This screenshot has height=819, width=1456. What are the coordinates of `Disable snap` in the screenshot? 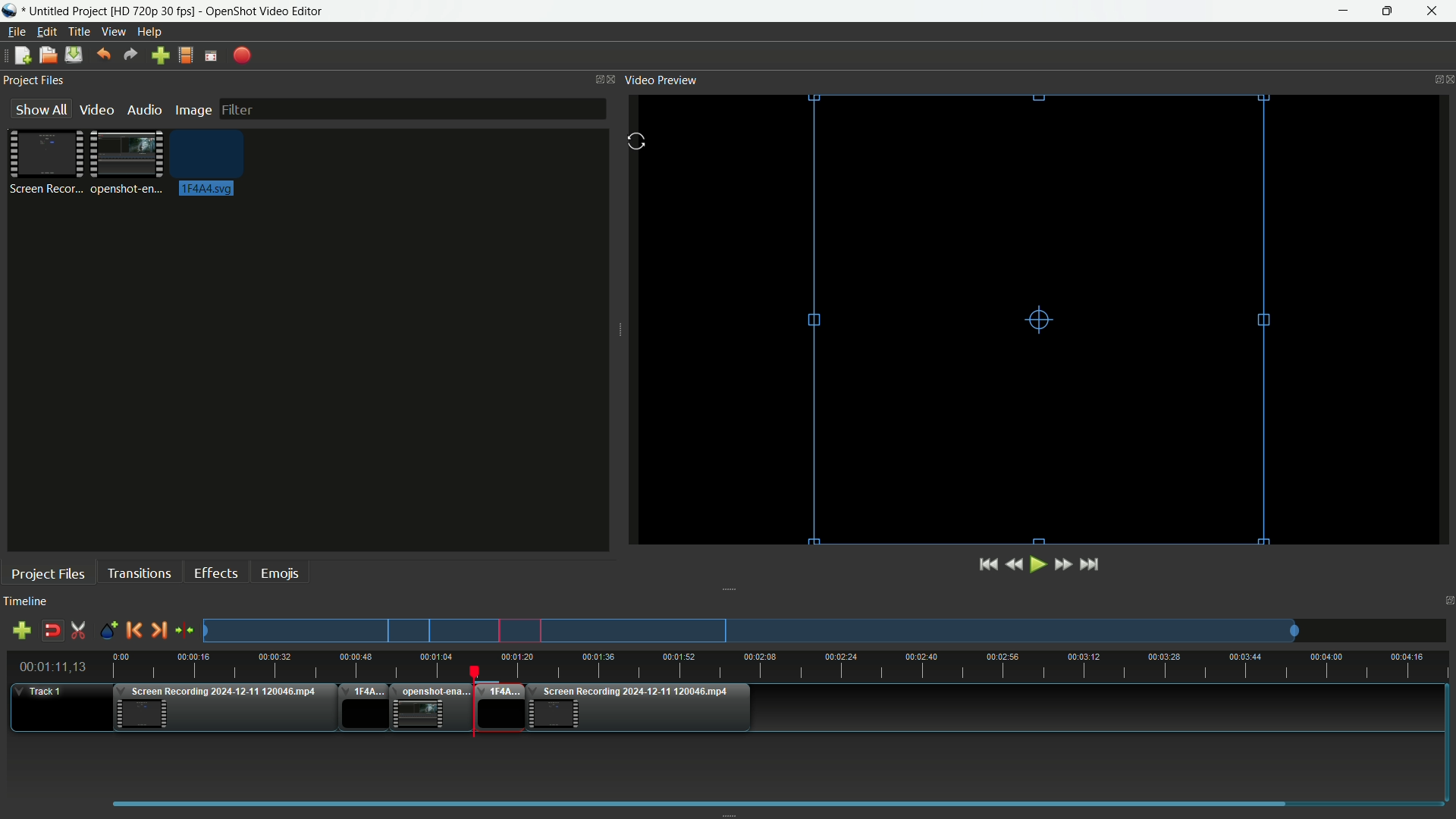 It's located at (54, 631).